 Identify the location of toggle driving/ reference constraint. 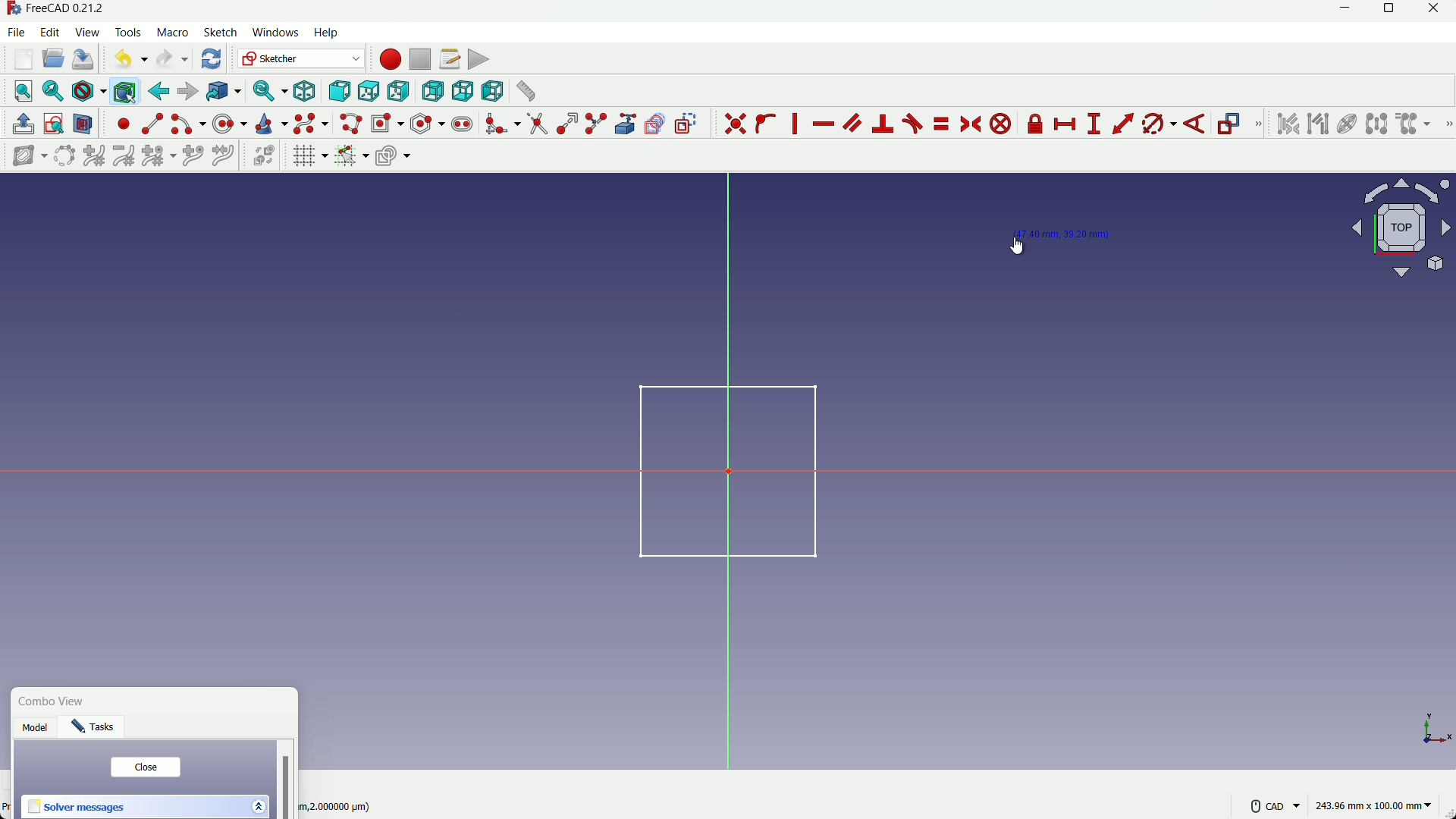
(1232, 125).